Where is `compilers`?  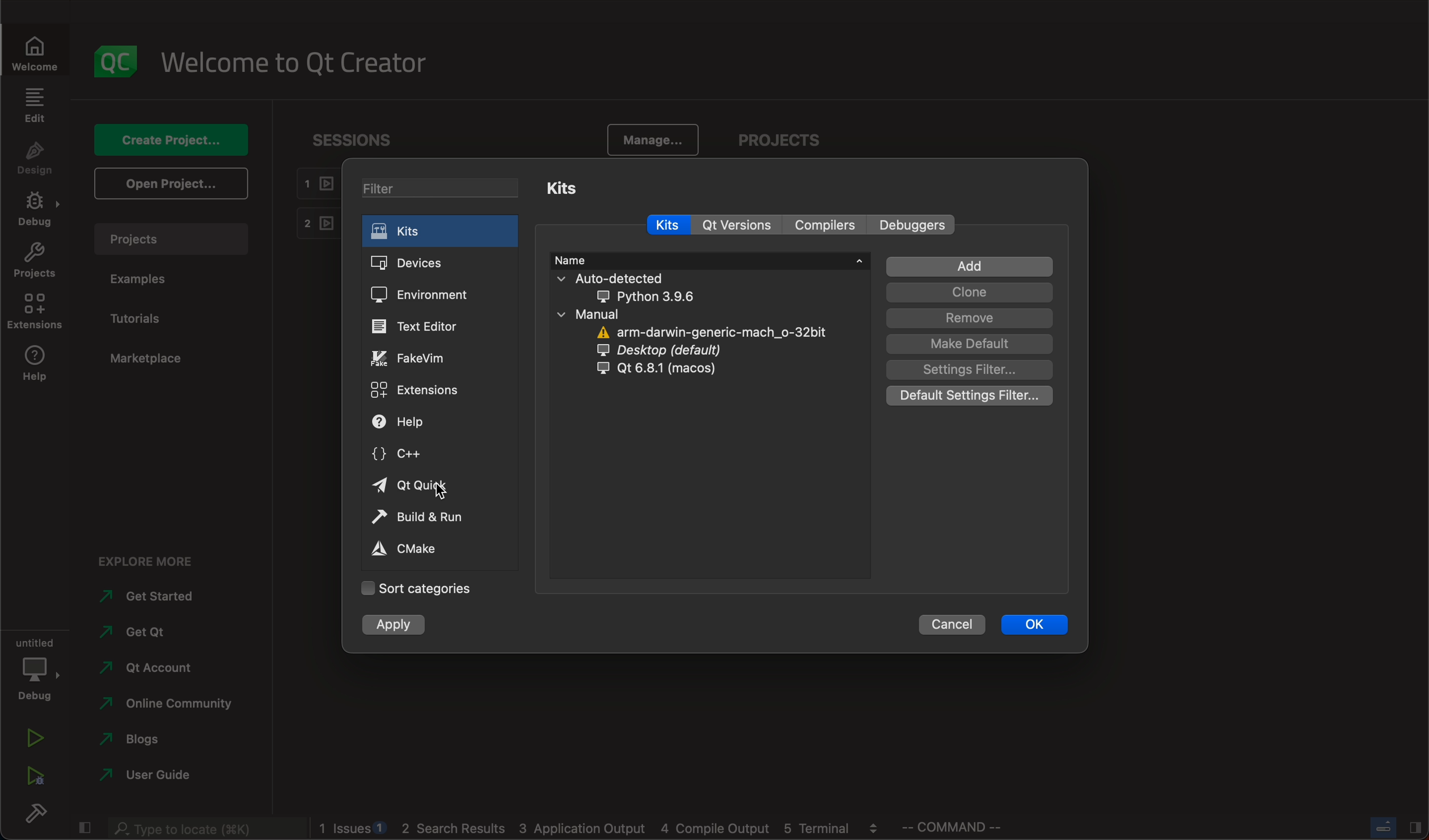 compilers is located at coordinates (826, 225).